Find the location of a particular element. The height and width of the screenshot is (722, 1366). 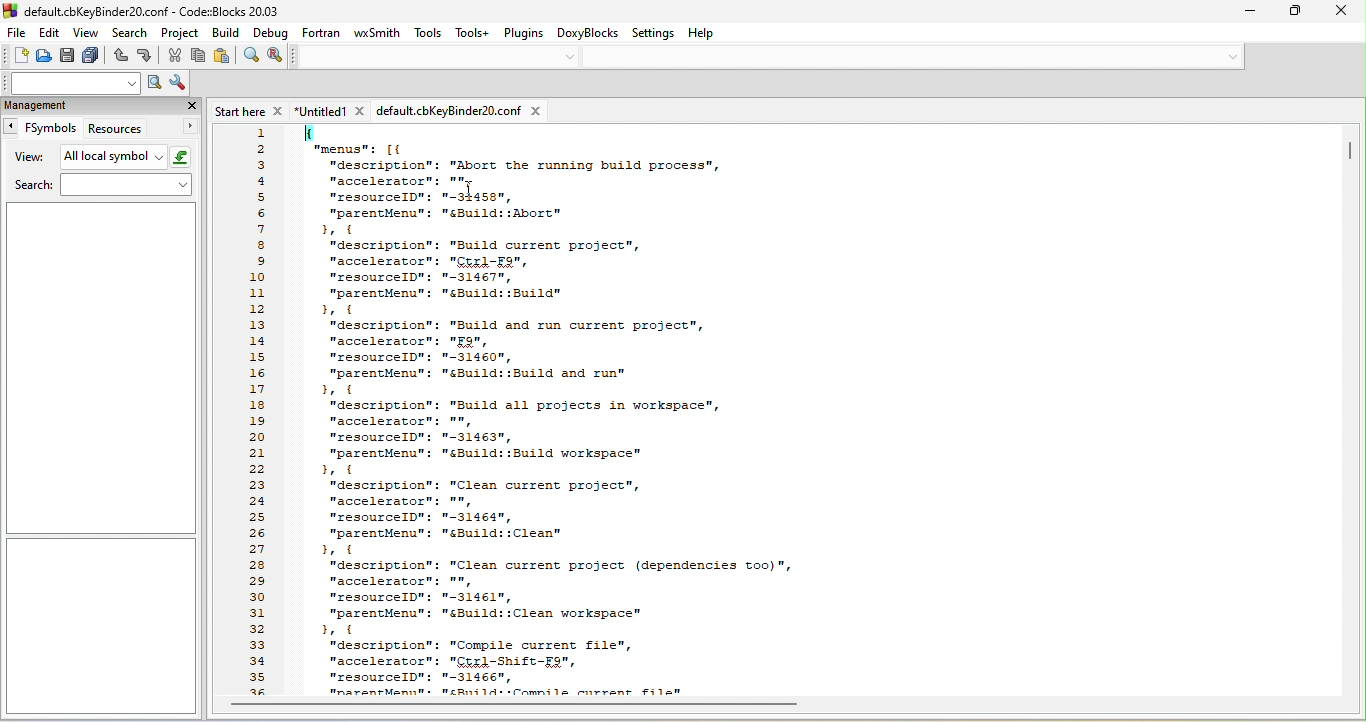

horizontal bar is located at coordinates (525, 707).